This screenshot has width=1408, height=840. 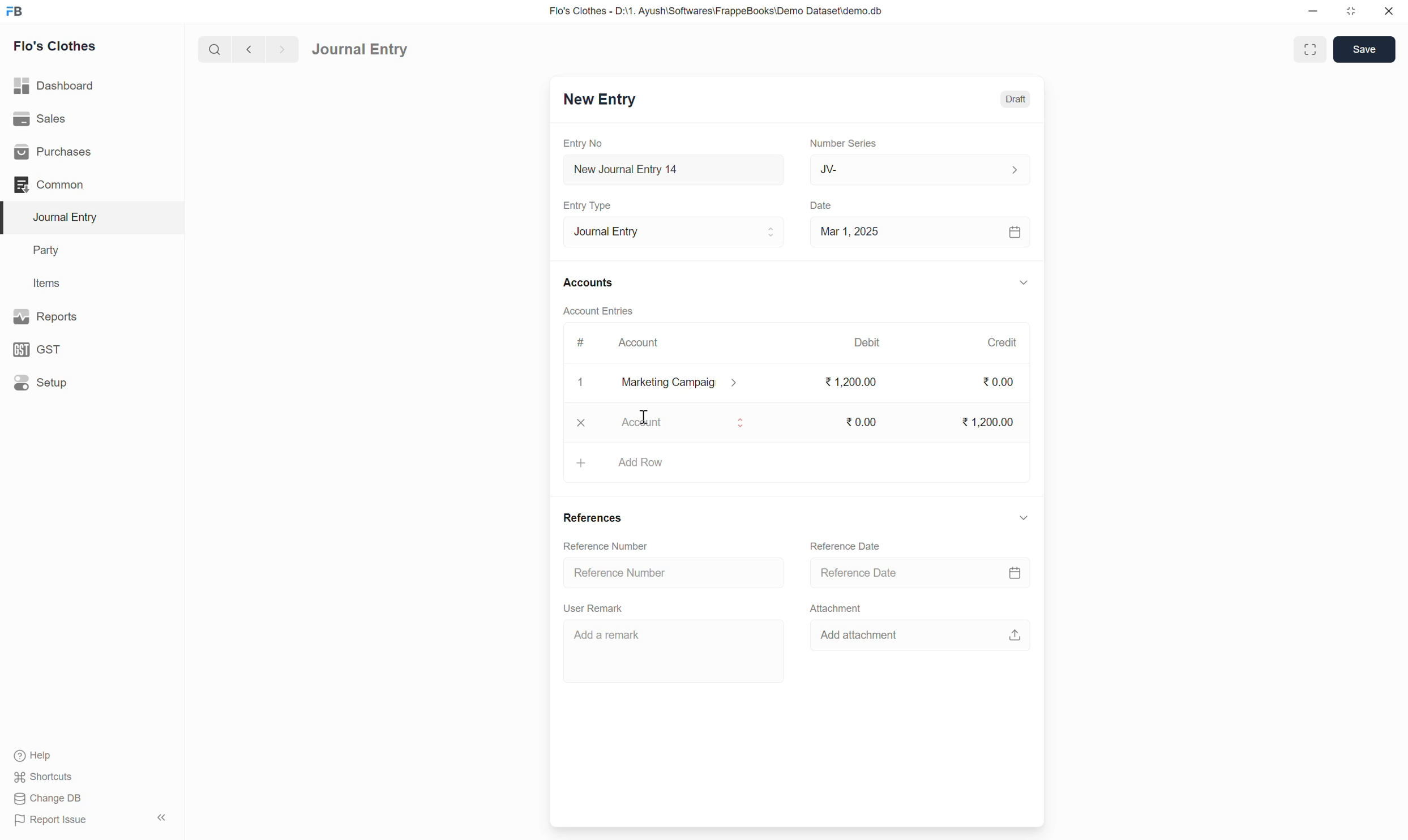 I want to click on Reports, so click(x=49, y=316).